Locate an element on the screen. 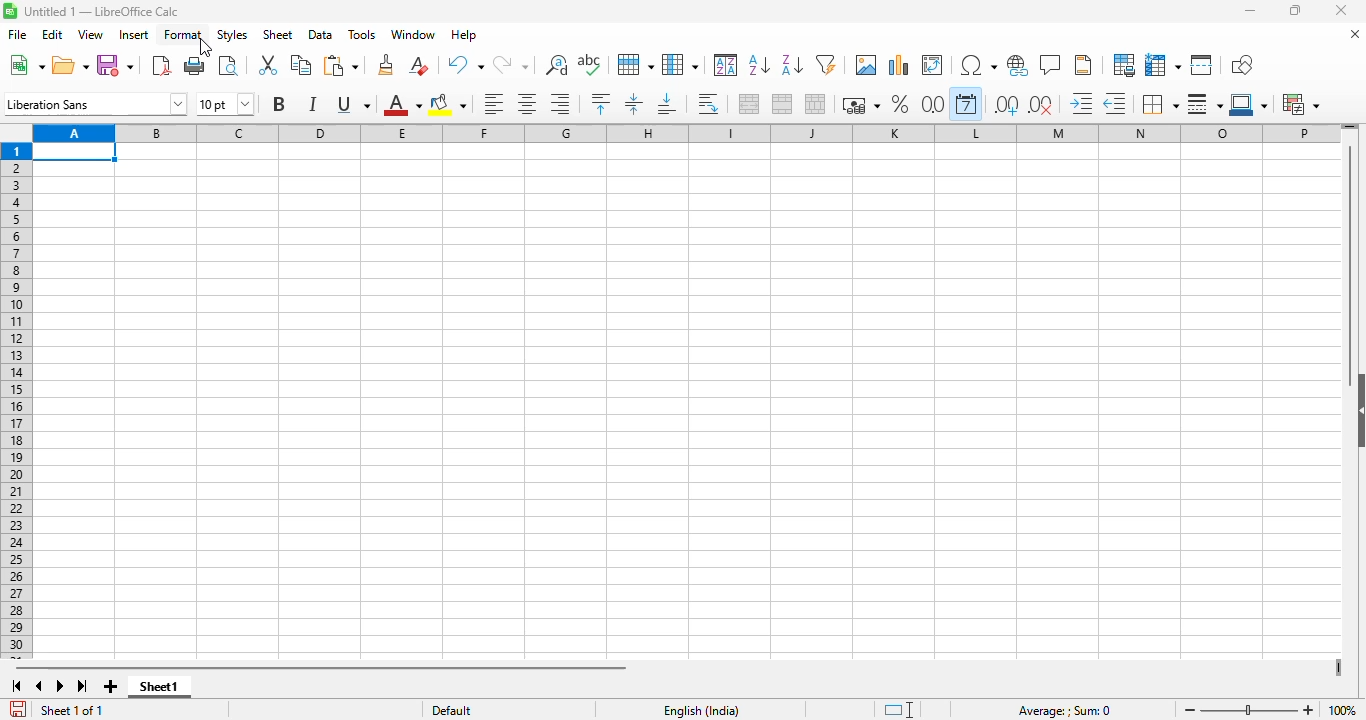 The image size is (1366, 720). sheet 1 of 1 is located at coordinates (70, 710).